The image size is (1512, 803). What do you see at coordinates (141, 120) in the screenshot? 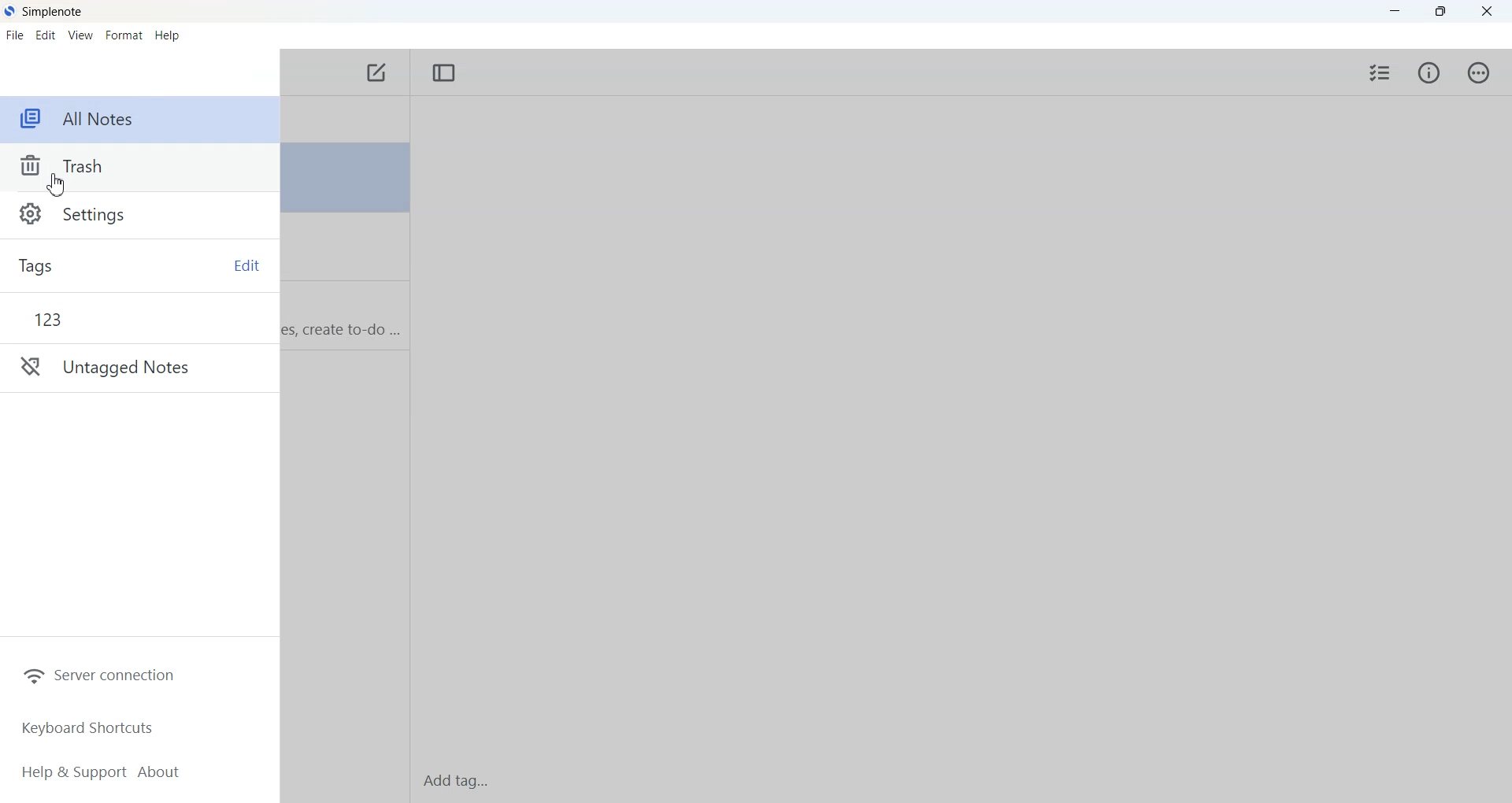
I see `All Notes` at bounding box center [141, 120].